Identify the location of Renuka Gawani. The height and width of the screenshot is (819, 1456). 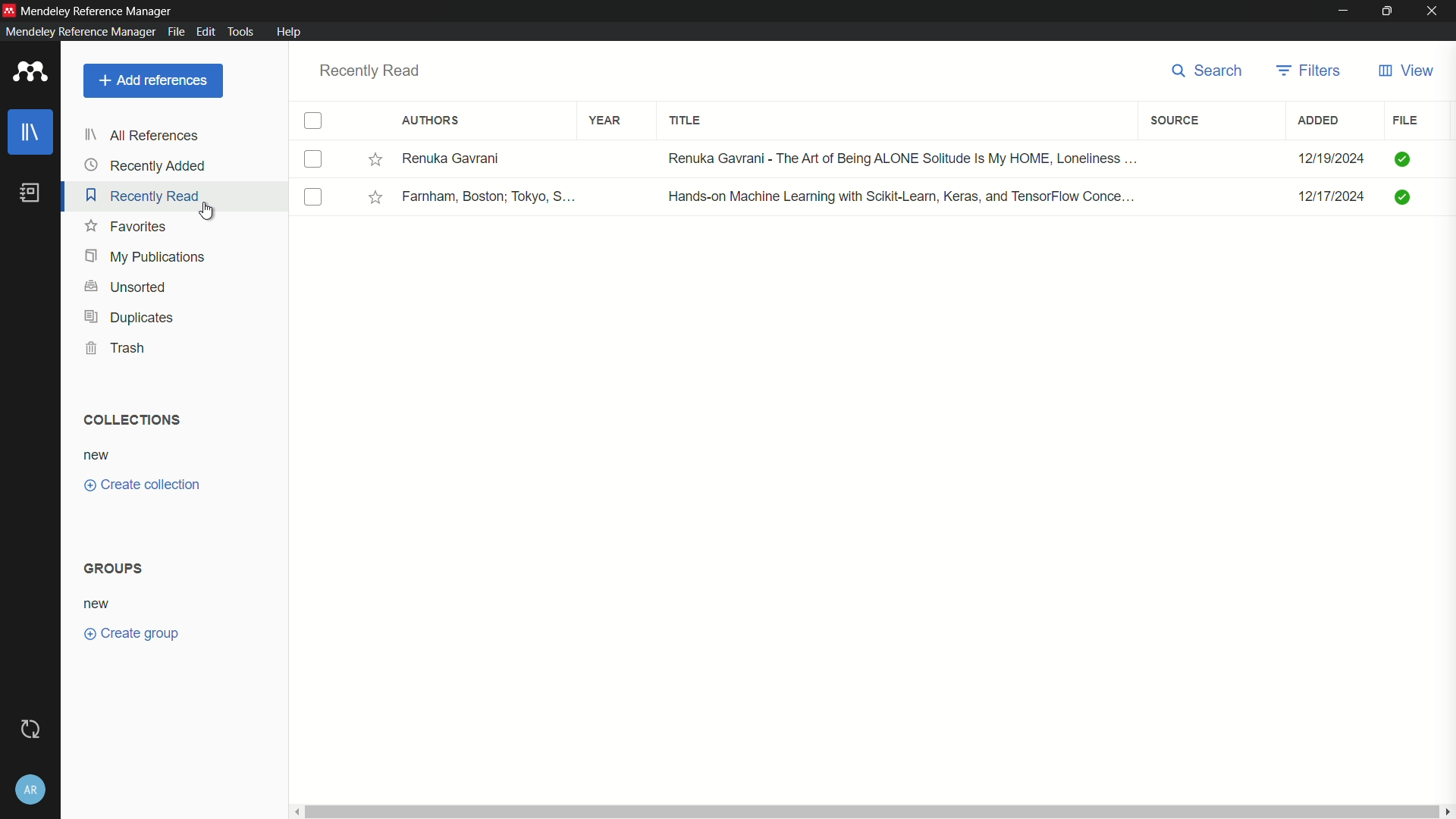
(477, 158).